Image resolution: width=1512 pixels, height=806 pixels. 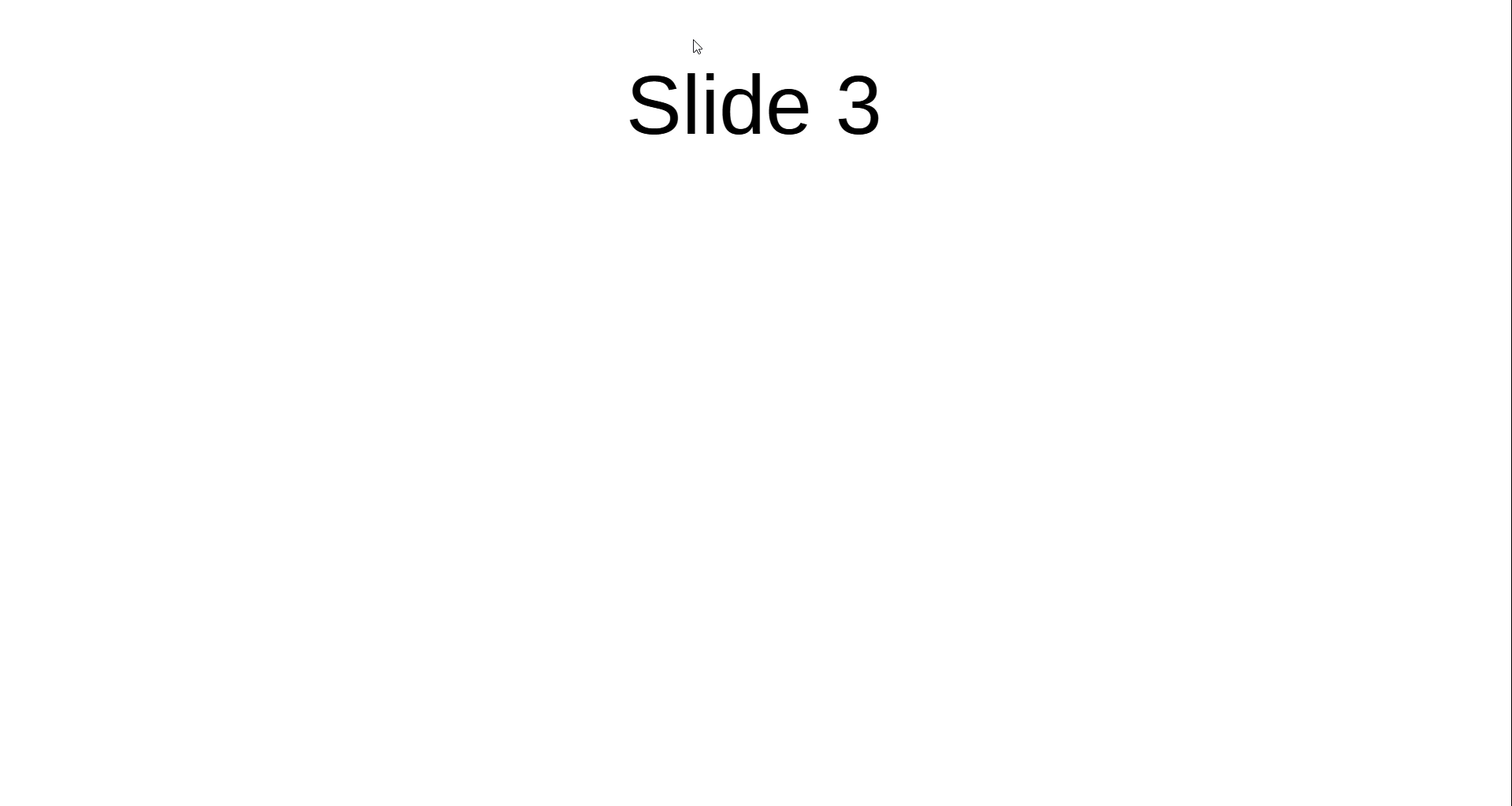 What do you see at coordinates (767, 116) in the screenshot?
I see `slide title` at bounding box center [767, 116].